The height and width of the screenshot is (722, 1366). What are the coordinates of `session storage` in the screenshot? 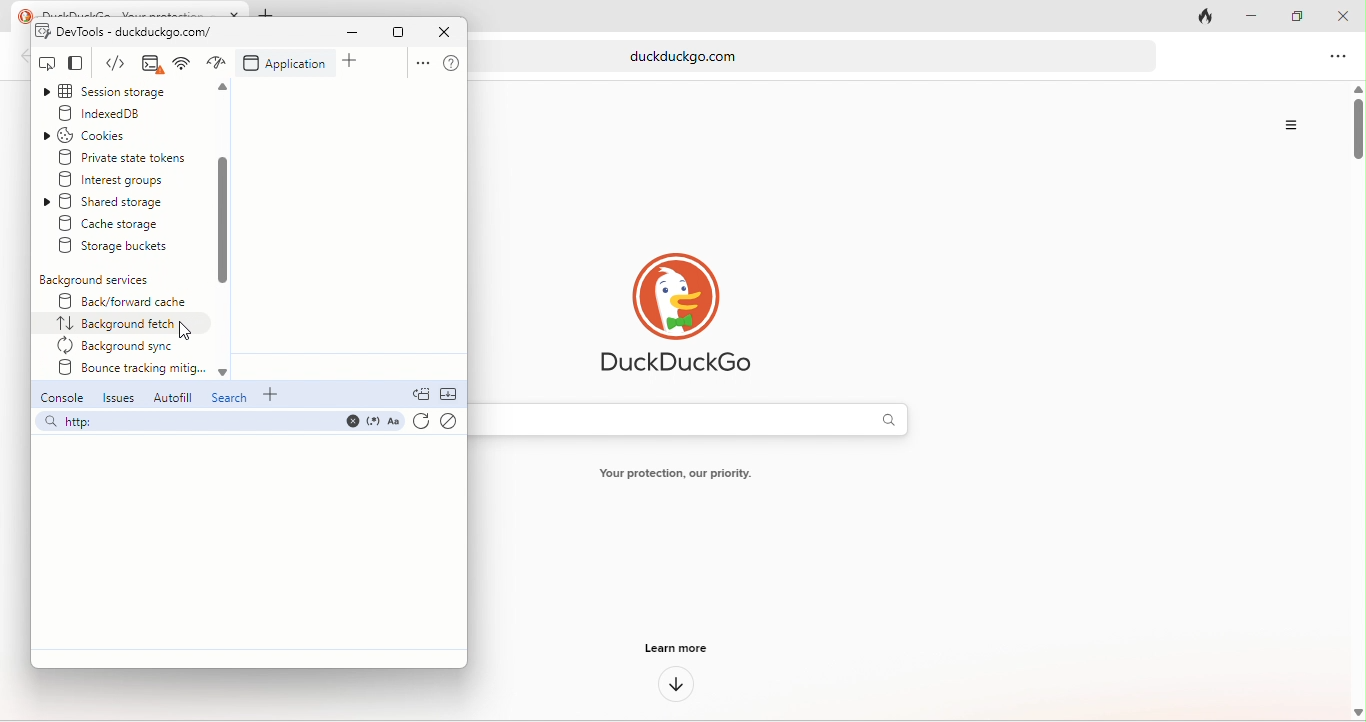 It's located at (121, 92).